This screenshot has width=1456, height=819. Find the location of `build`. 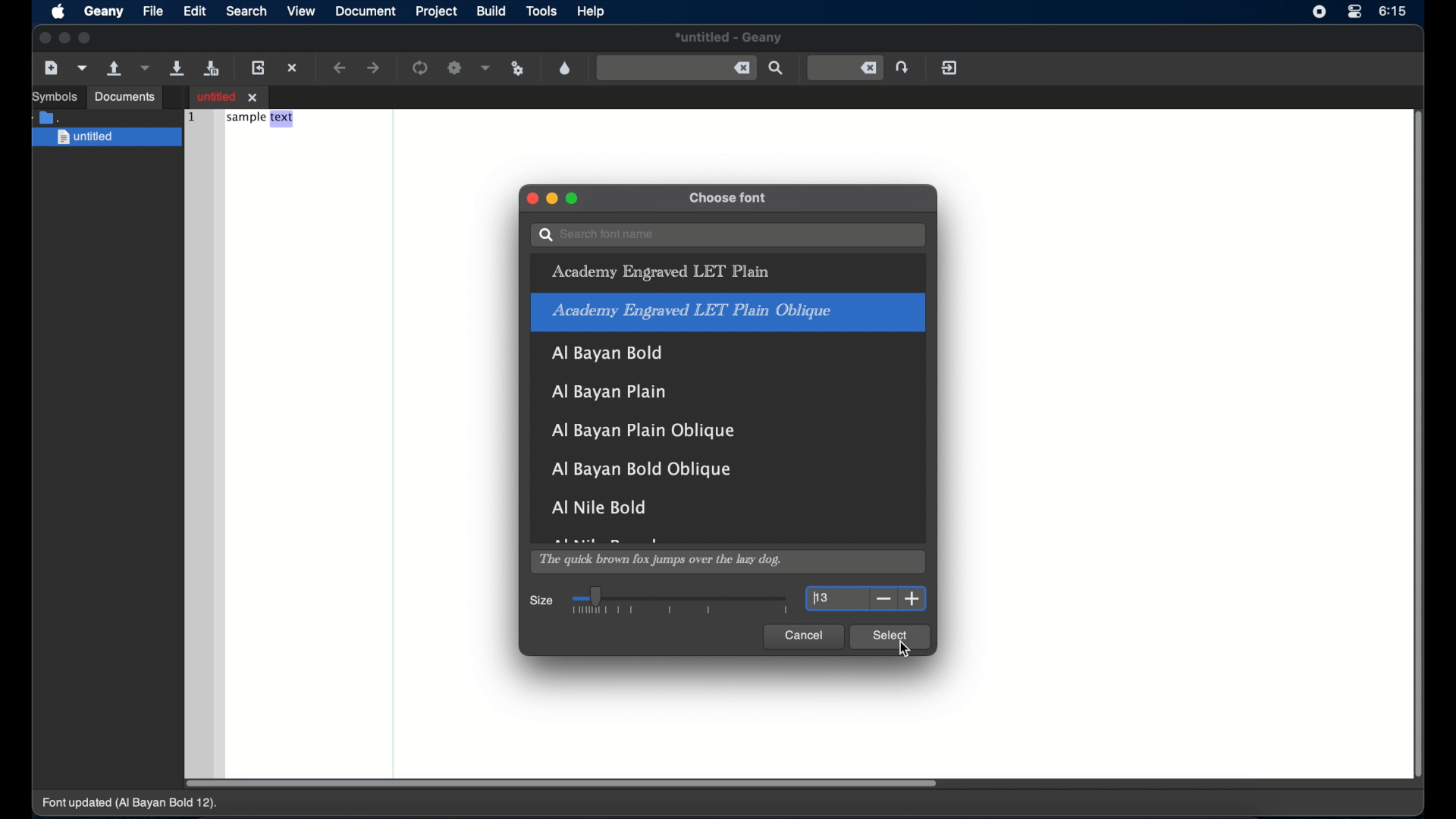

build is located at coordinates (491, 11).